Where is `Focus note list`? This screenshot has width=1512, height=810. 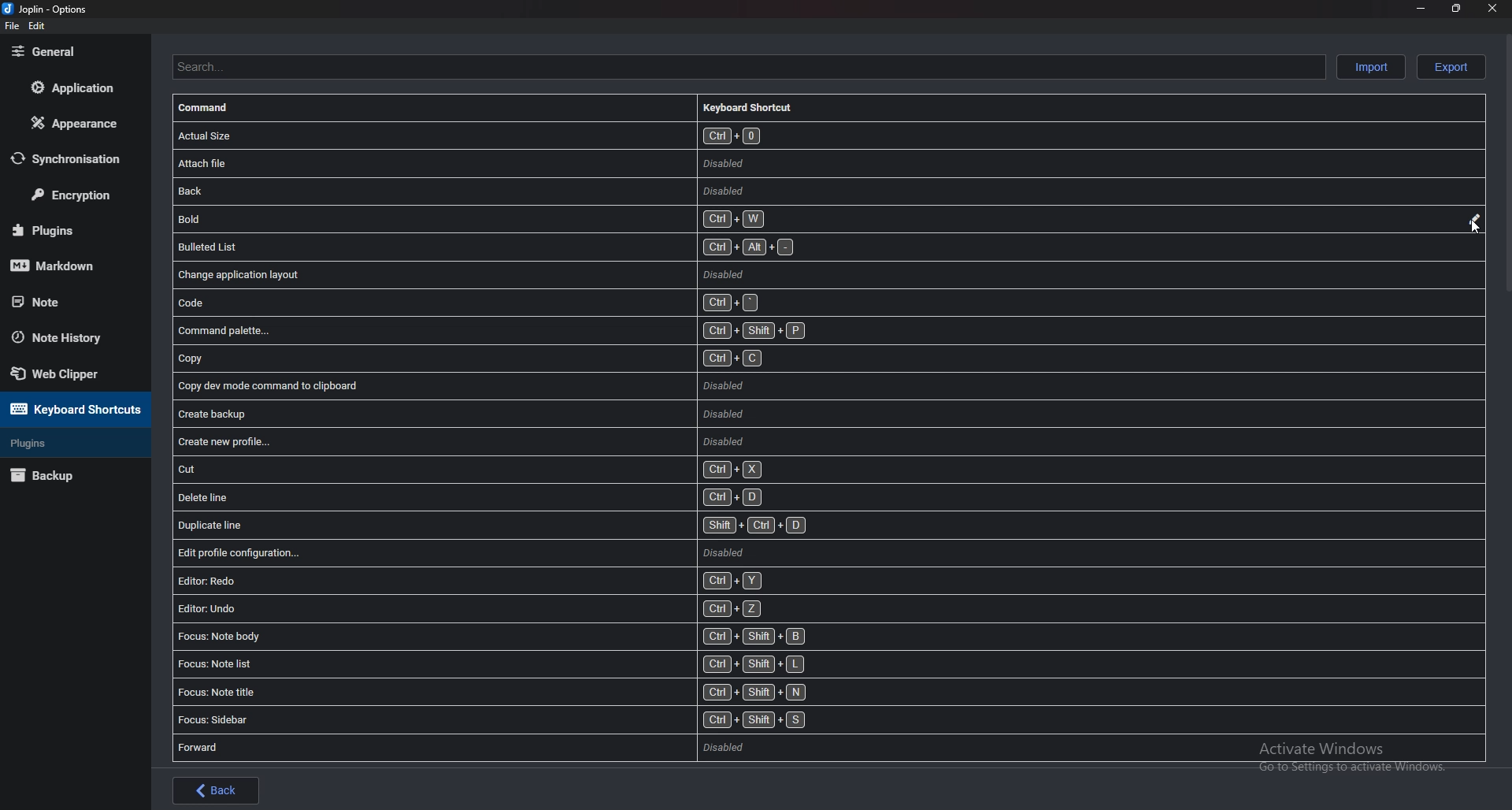 Focus note list is located at coordinates (528, 663).